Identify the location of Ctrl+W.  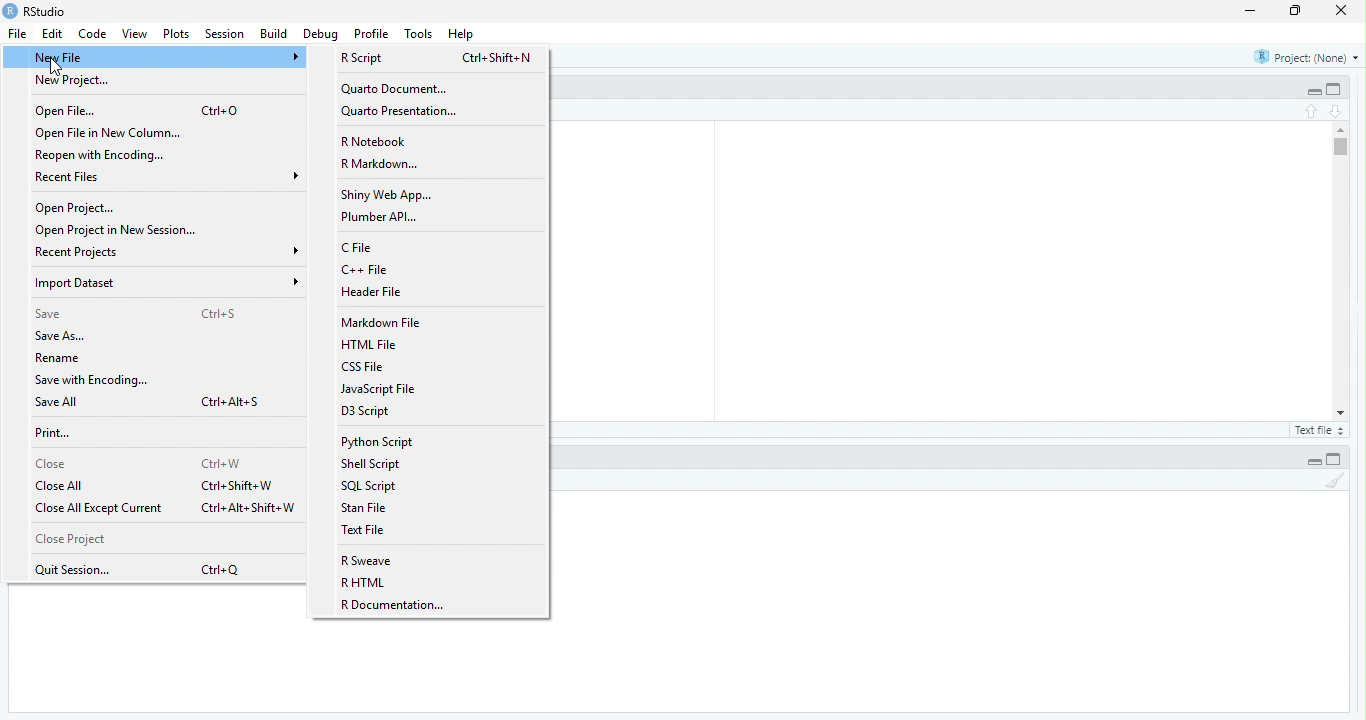
(224, 464).